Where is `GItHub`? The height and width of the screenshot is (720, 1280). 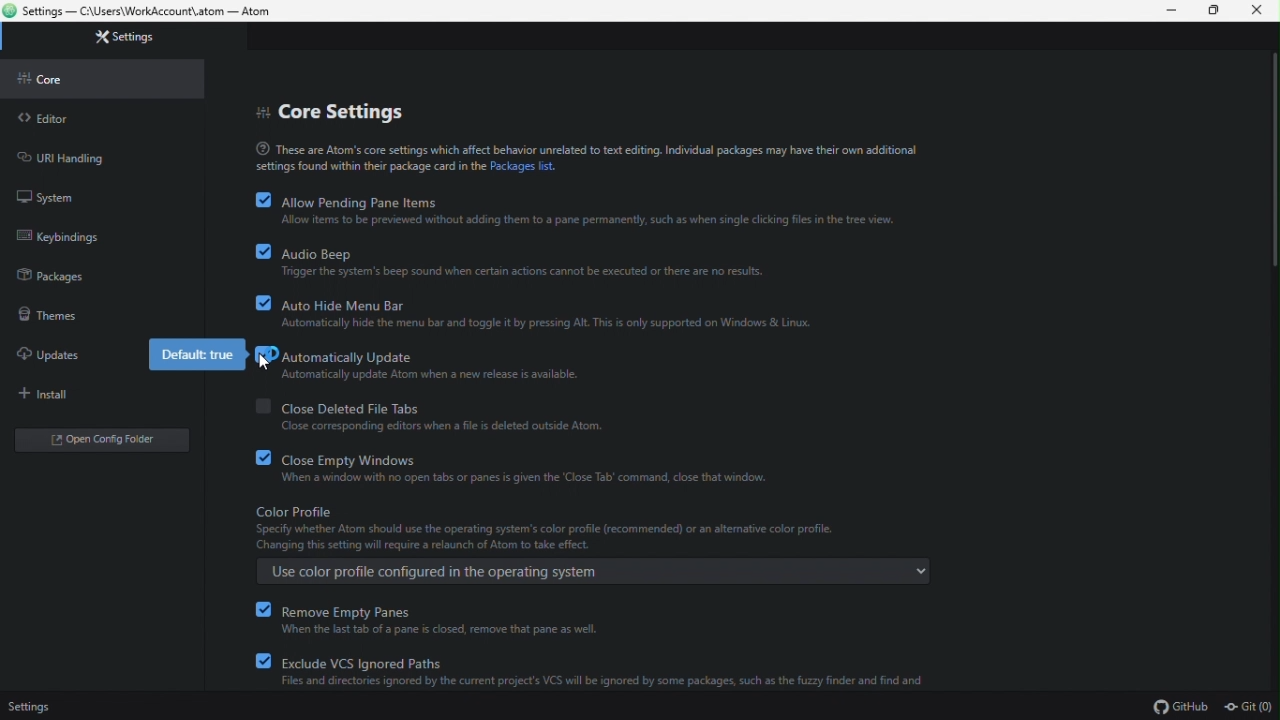 GItHub is located at coordinates (1171, 704).